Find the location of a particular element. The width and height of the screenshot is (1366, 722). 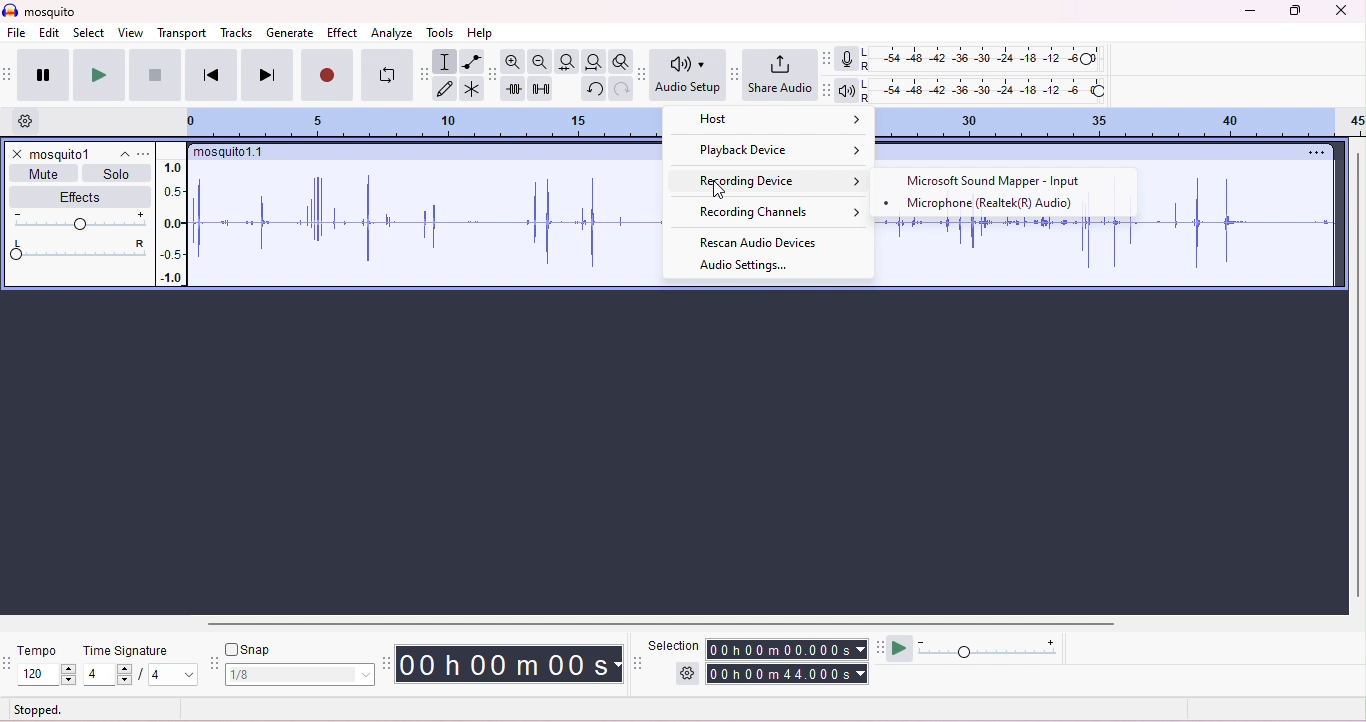

multi is located at coordinates (470, 88).